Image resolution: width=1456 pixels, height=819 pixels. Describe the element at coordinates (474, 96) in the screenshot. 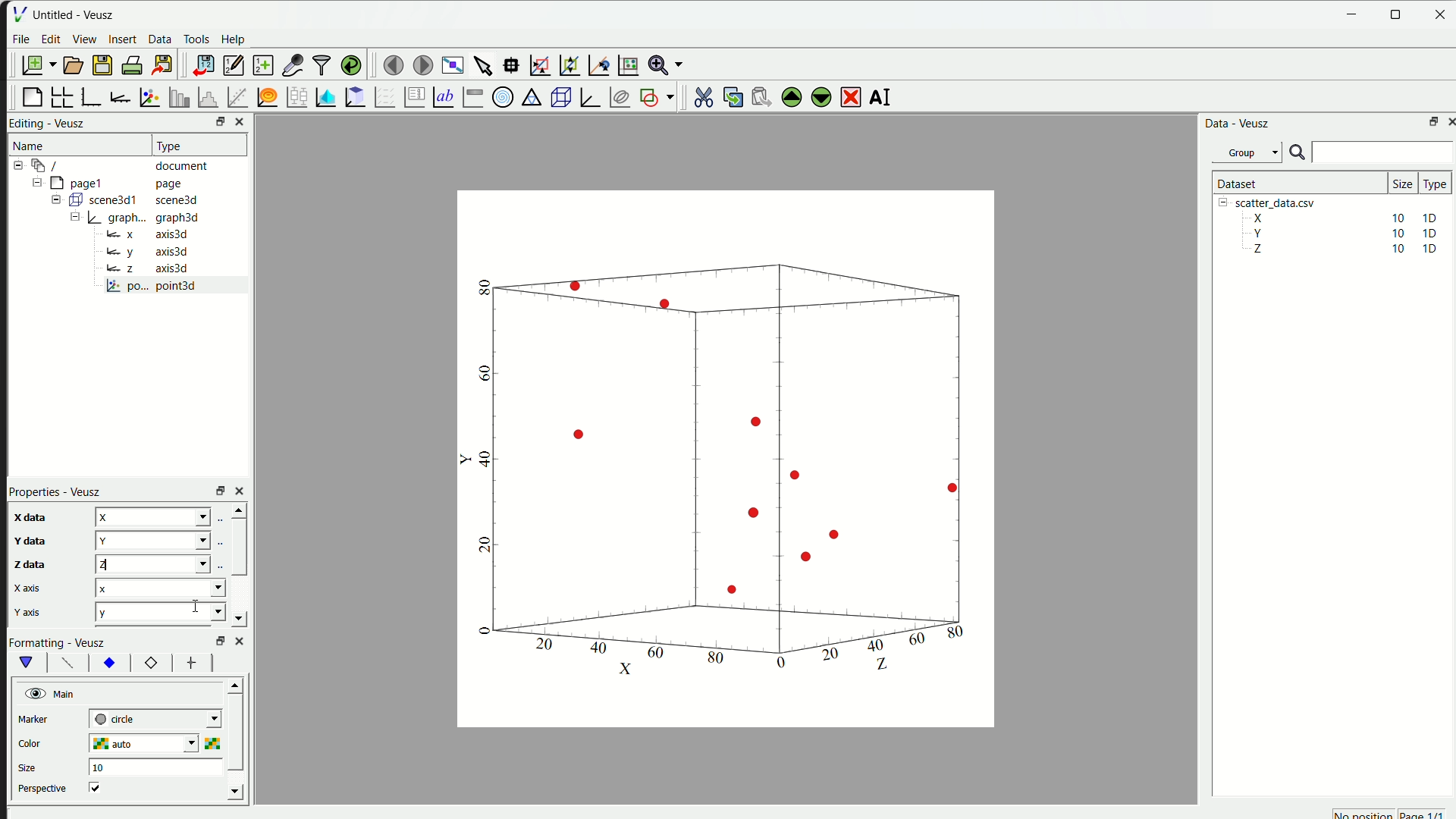

I see `Image color bar` at that location.